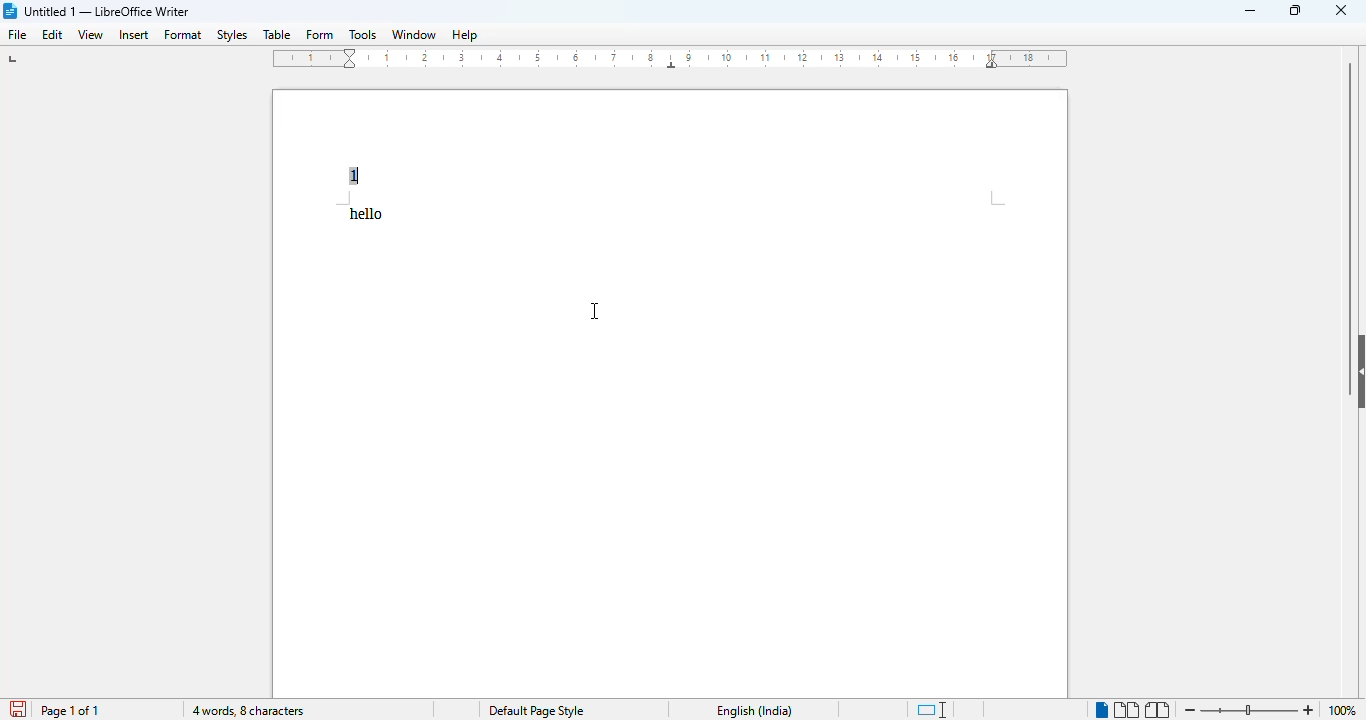 The width and height of the screenshot is (1366, 720). What do you see at coordinates (1341, 712) in the screenshot?
I see `100%` at bounding box center [1341, 712].